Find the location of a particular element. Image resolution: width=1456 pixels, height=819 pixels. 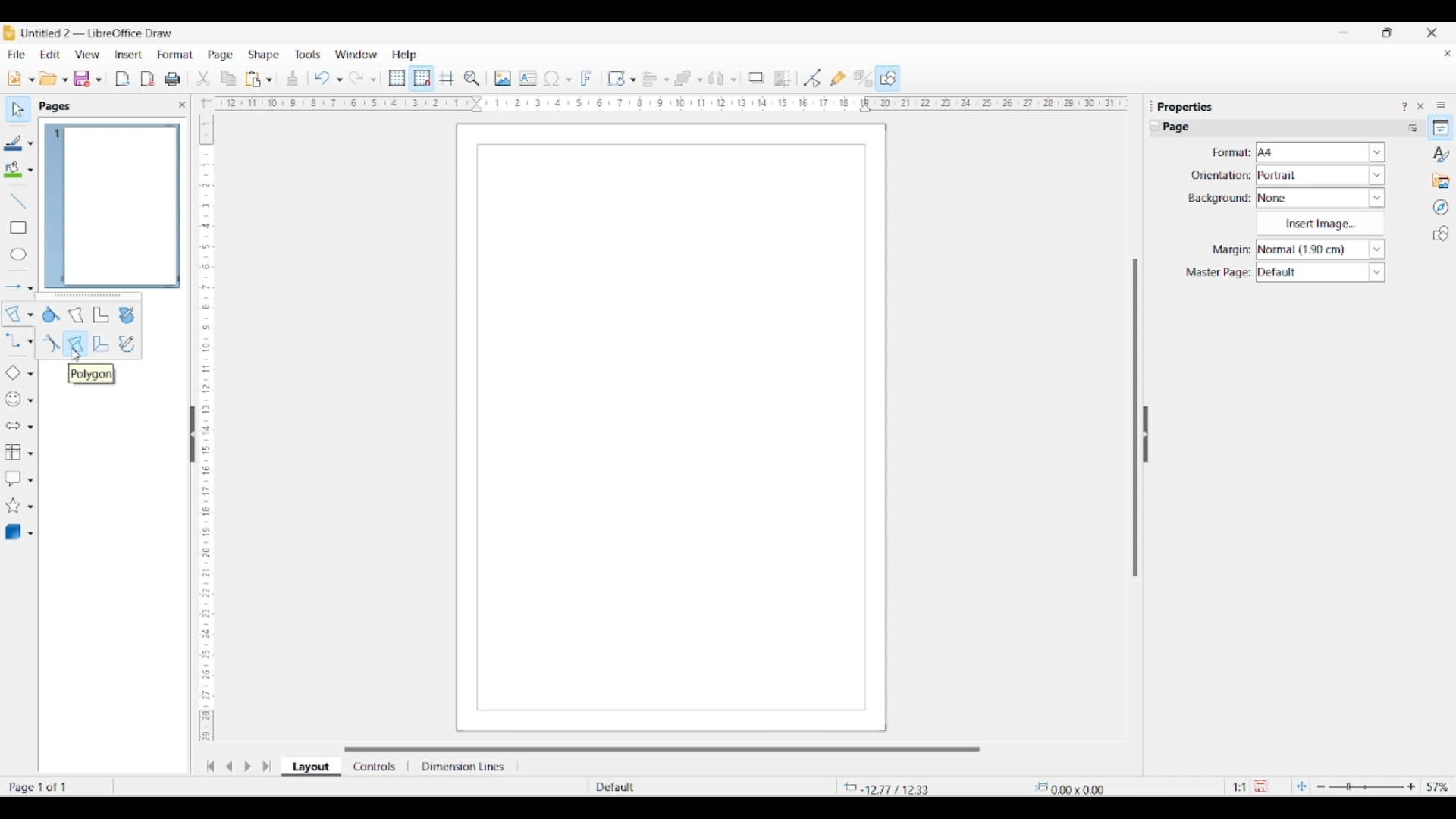

Export is located at coordinates (123, 79).